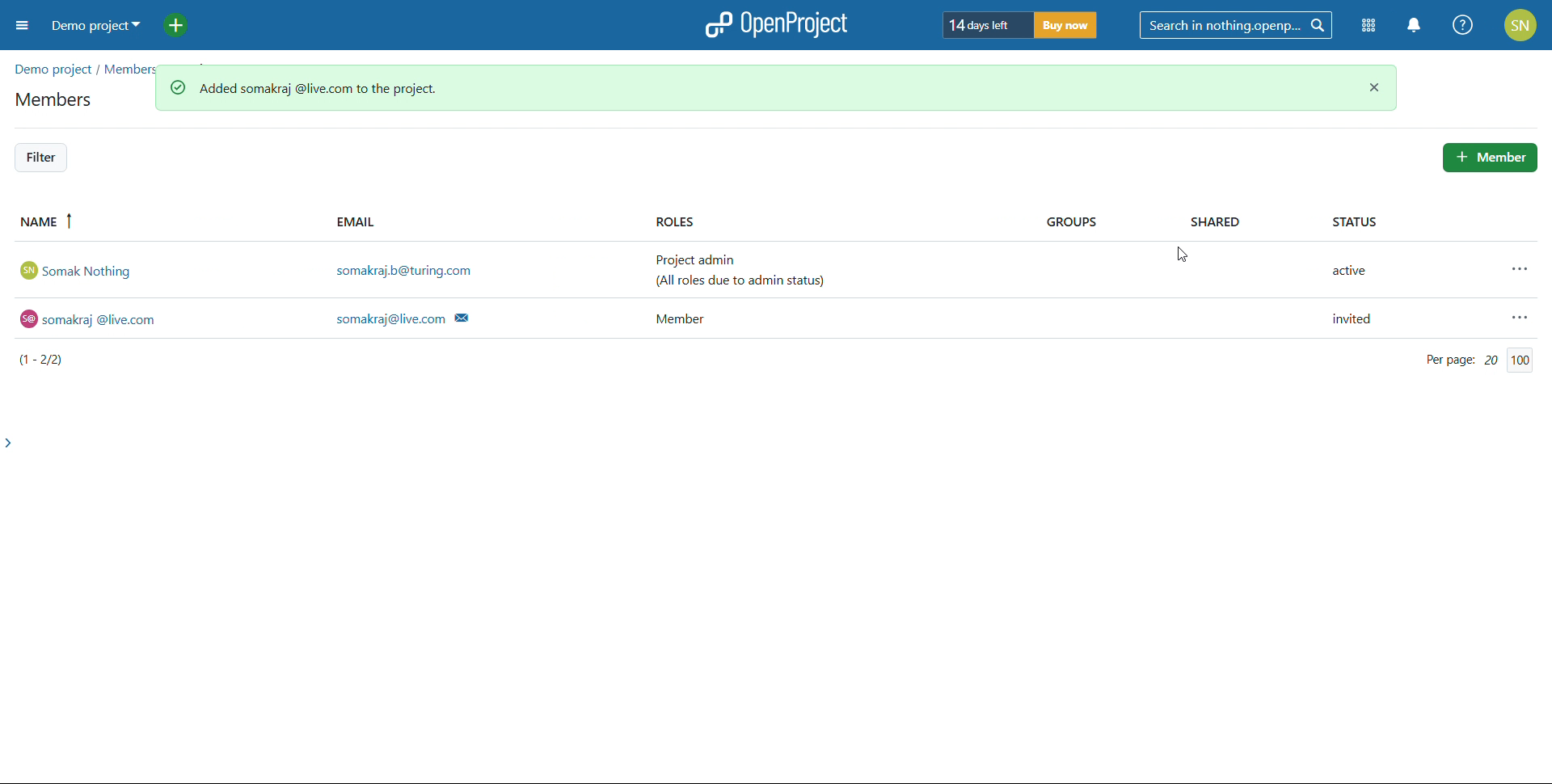 The image size is (1552, 784). What do you see at coordinates (1066, 24) in the screenshot?
I see `buy now` at bounding box center [1066, 24].